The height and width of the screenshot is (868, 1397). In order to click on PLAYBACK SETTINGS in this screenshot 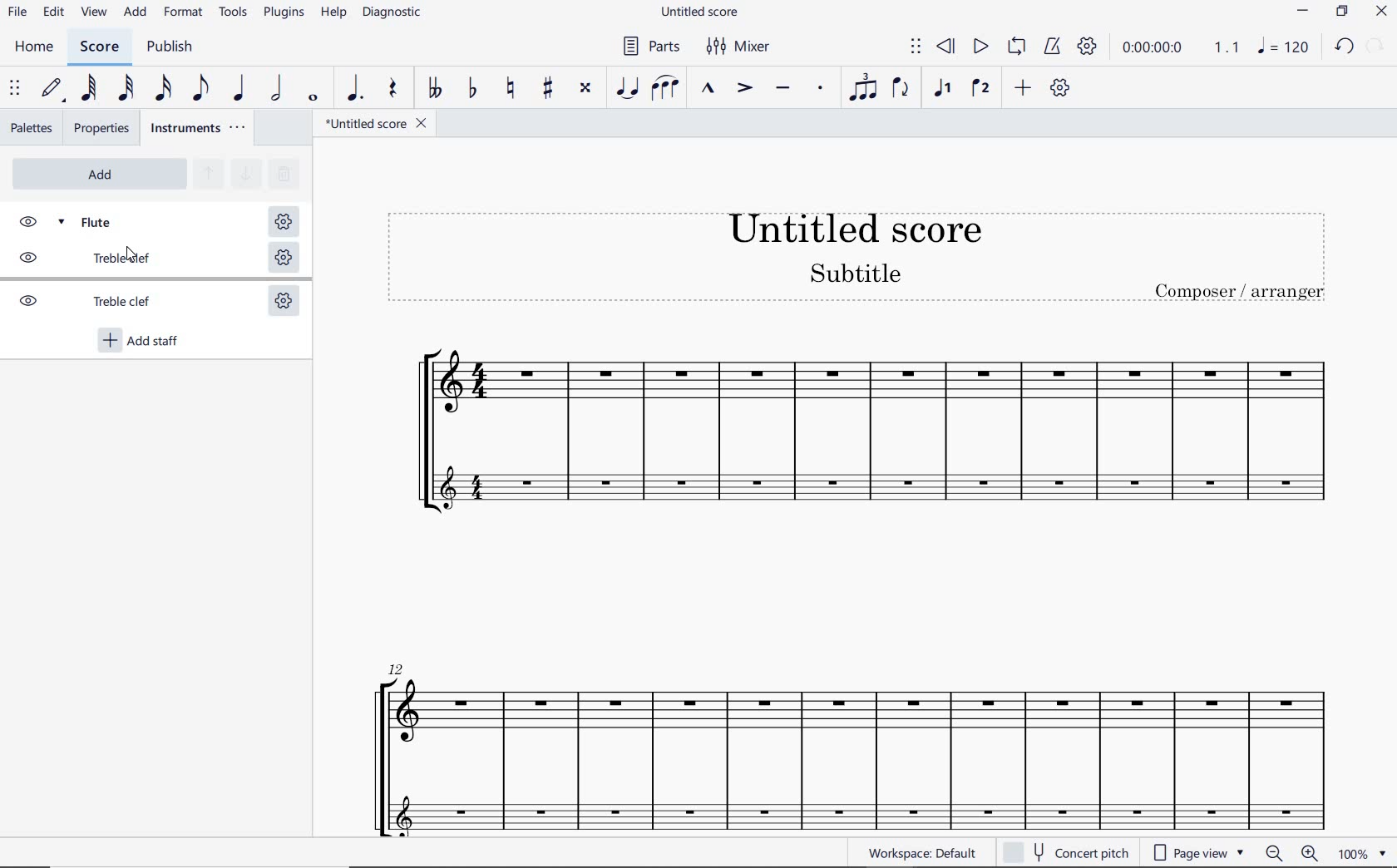, I will do `click(1087, 47)`.